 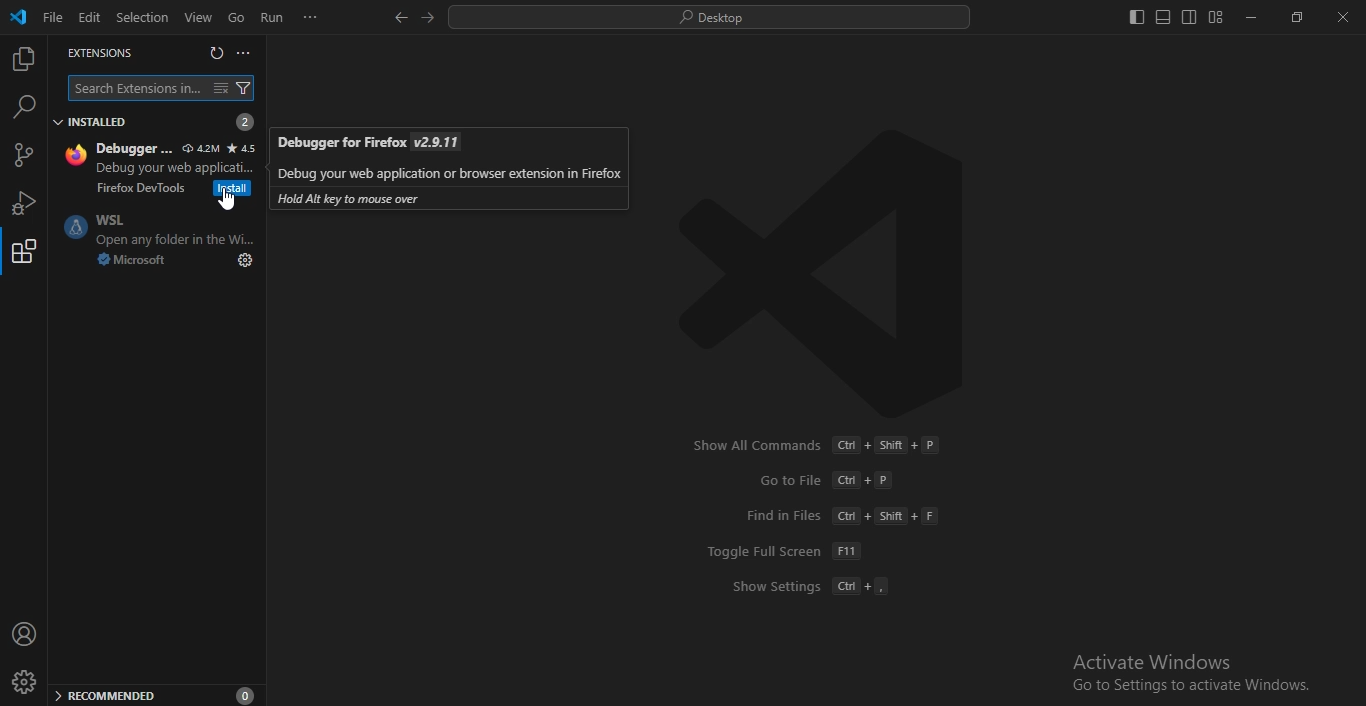 I want to click on WSl open any folder in the Win.., so click(x=173, y=229).